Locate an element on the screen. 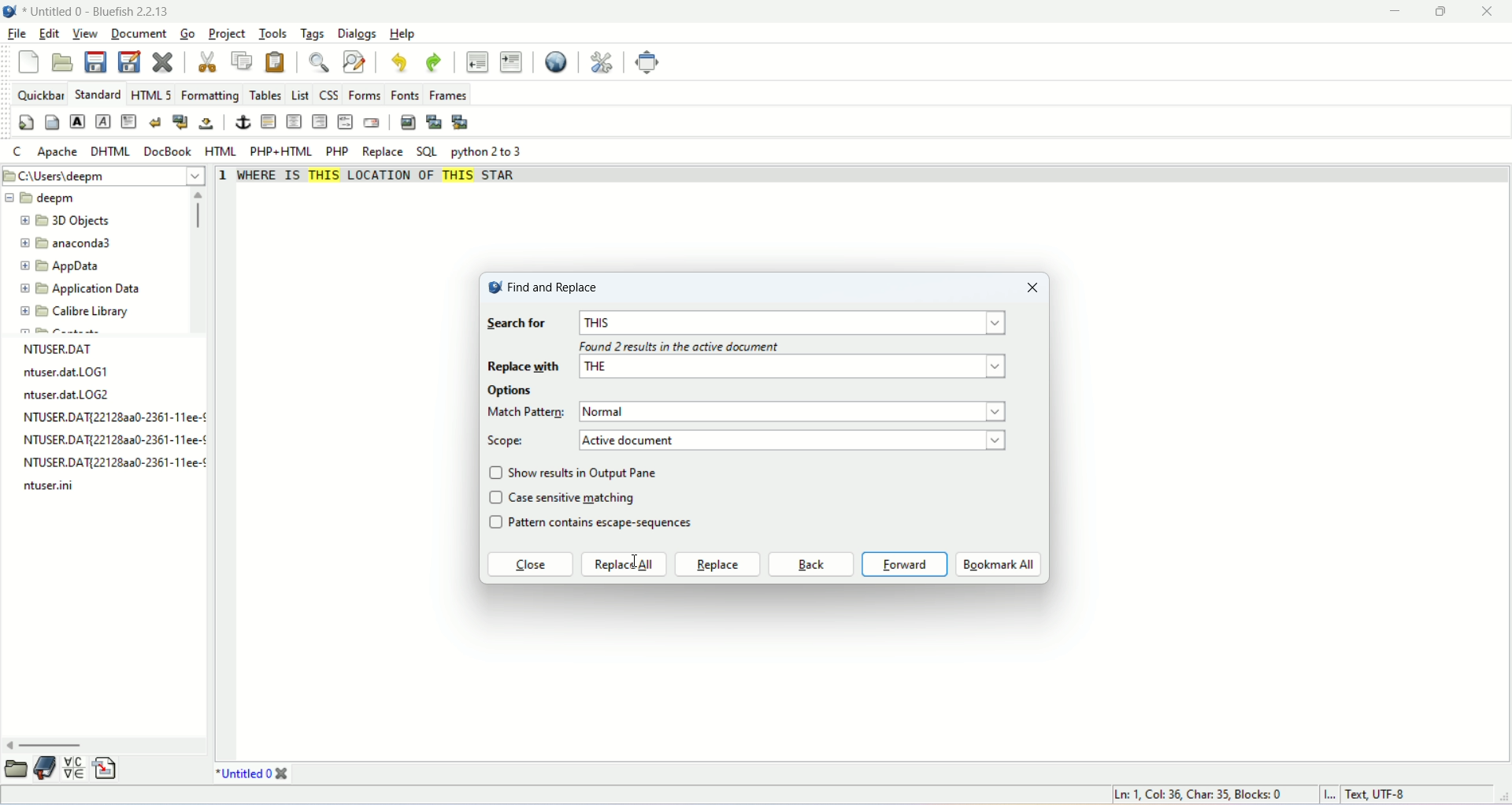 This screenshot has height=805, width=1512. save file is located at coordinates (98, 62).